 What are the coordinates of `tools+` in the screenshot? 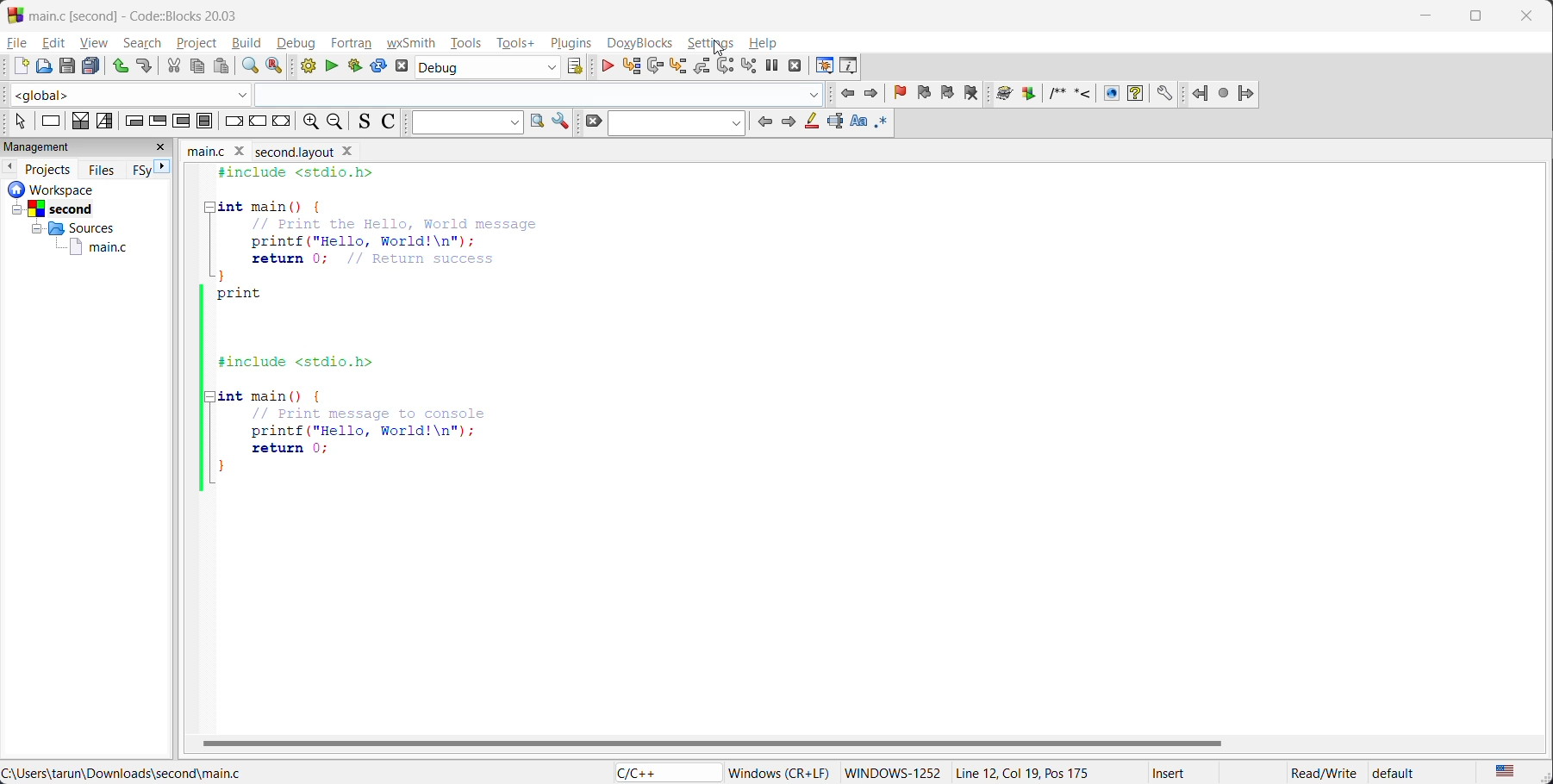 It's located at (517, 44).